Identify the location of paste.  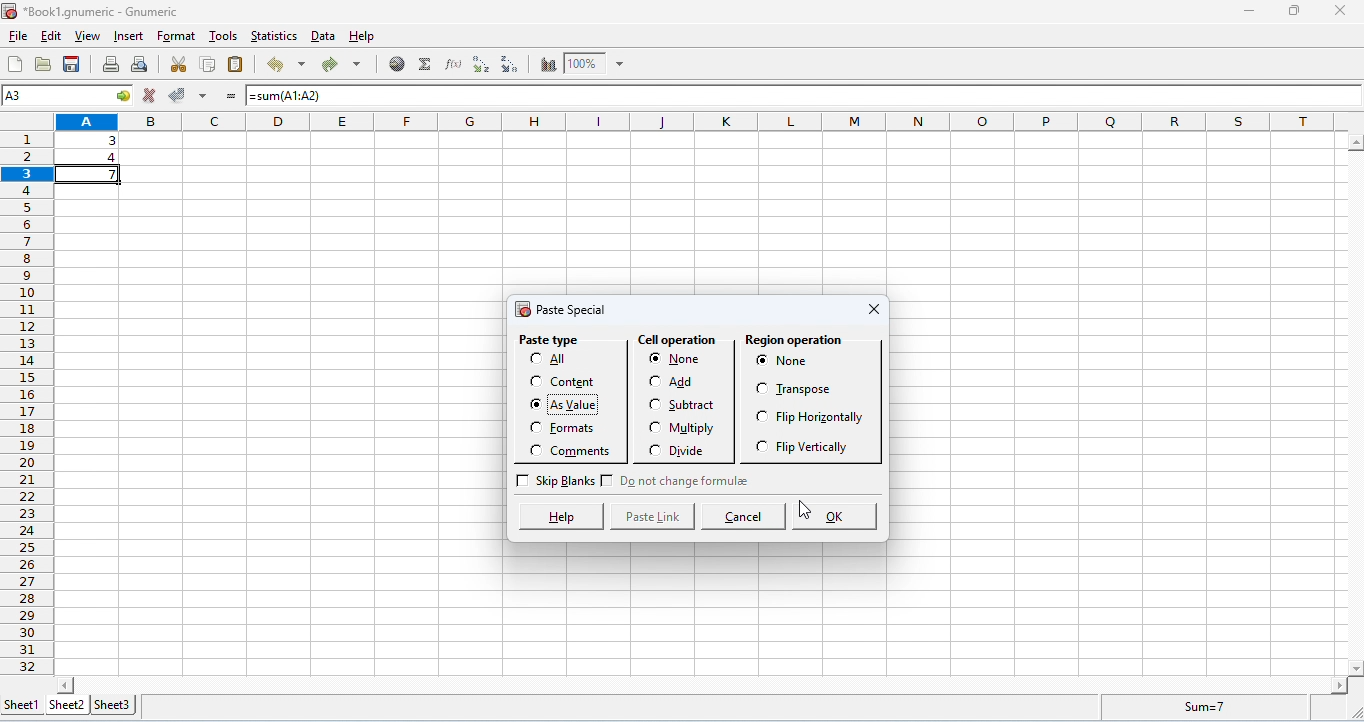
(237, 64).